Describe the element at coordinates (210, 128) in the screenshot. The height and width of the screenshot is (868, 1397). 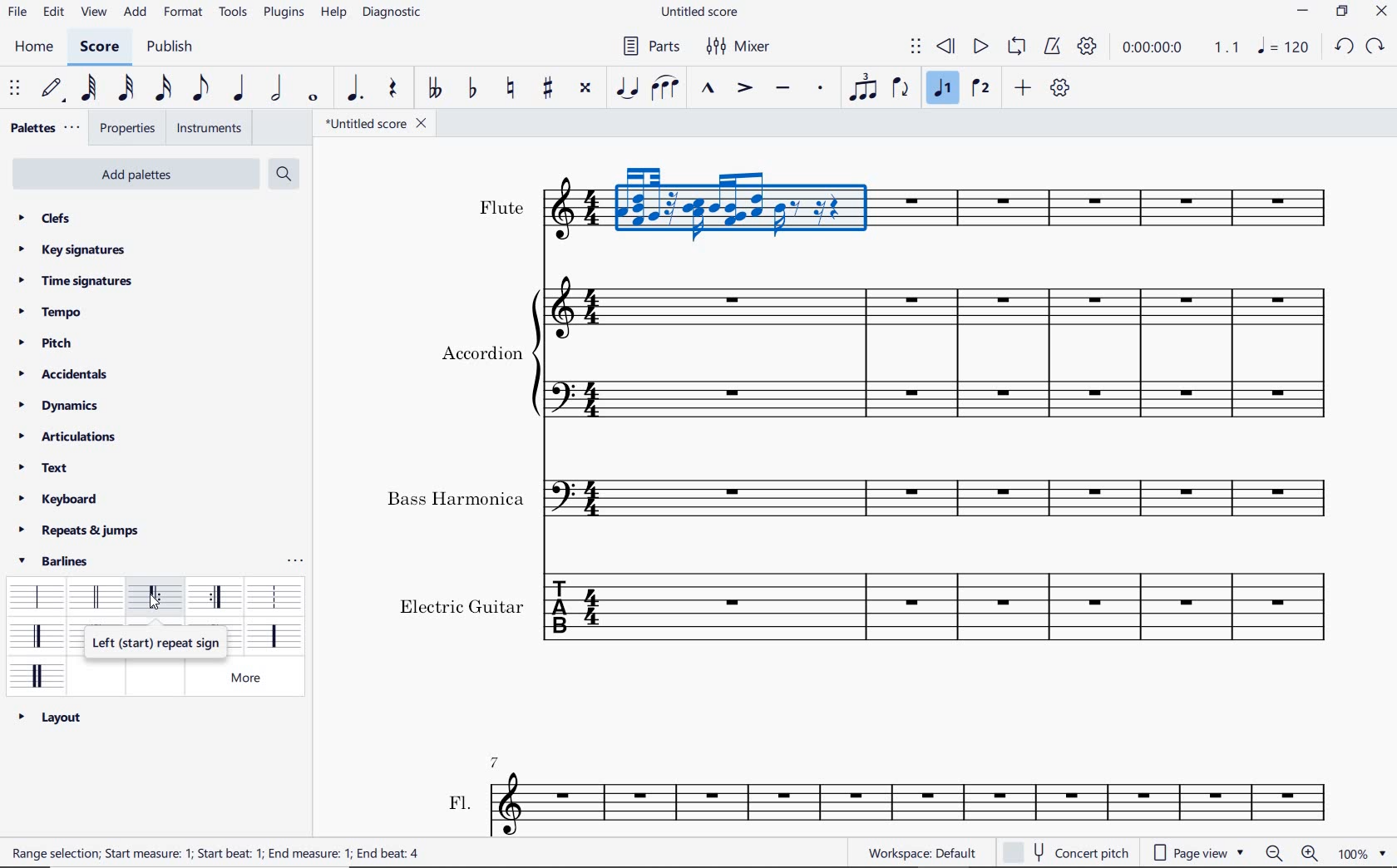
I see `instruments` at that location.